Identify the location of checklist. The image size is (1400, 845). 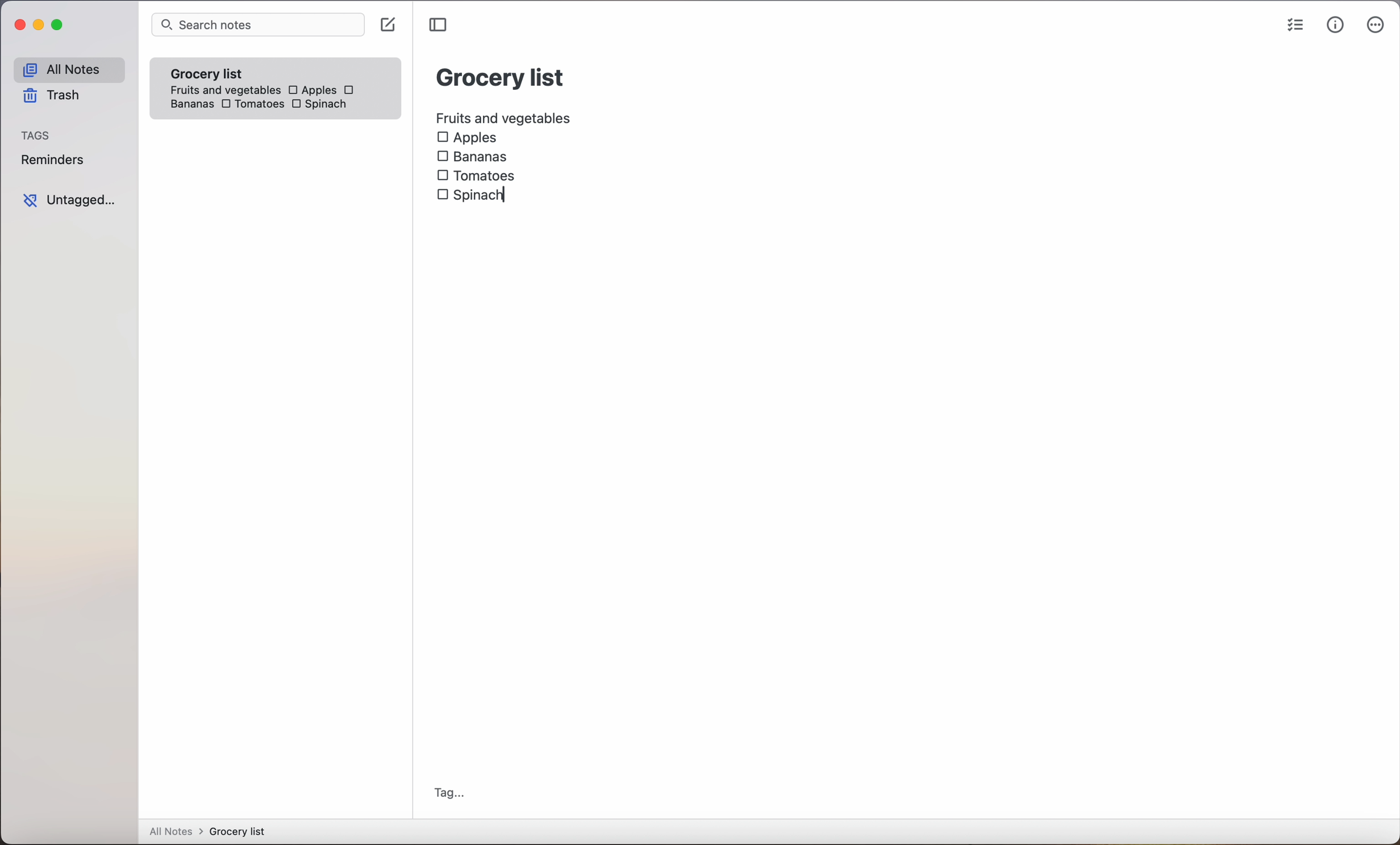
(1293, 27).